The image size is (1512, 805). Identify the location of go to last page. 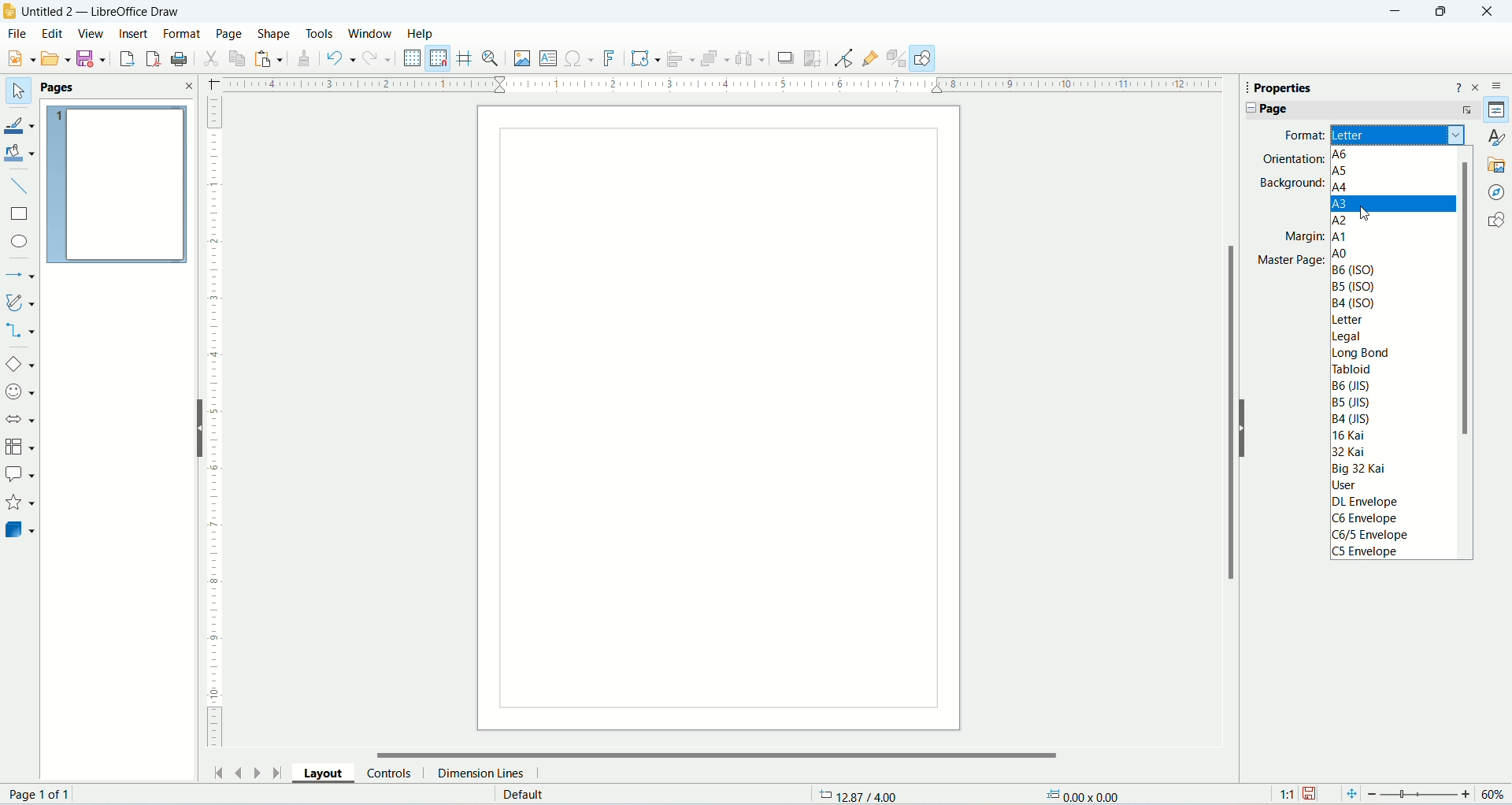
(275, 771).